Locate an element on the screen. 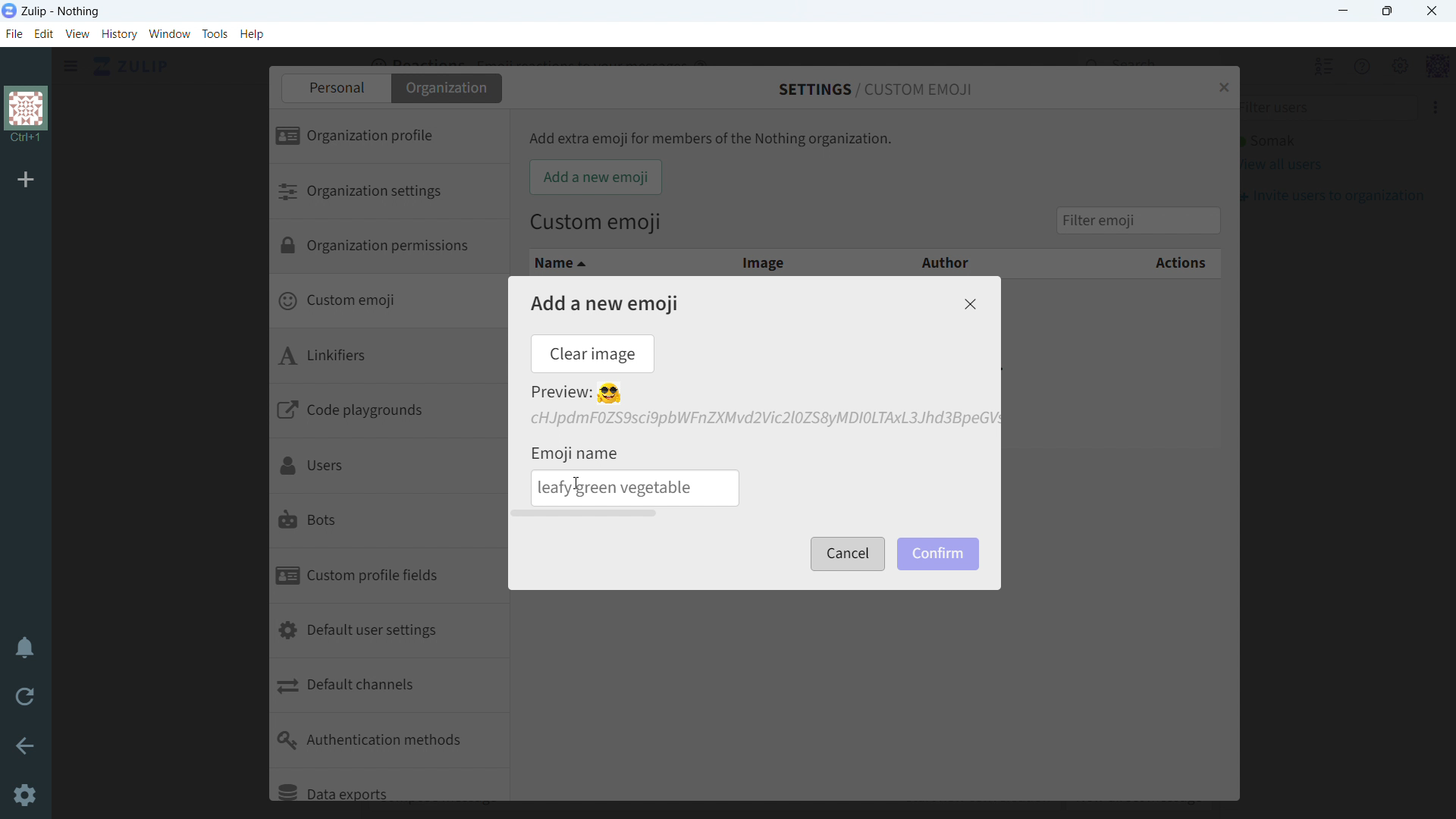 This screenshot has width=1456, height=819. settings/custom emoji is located at coordinates (877, 89).